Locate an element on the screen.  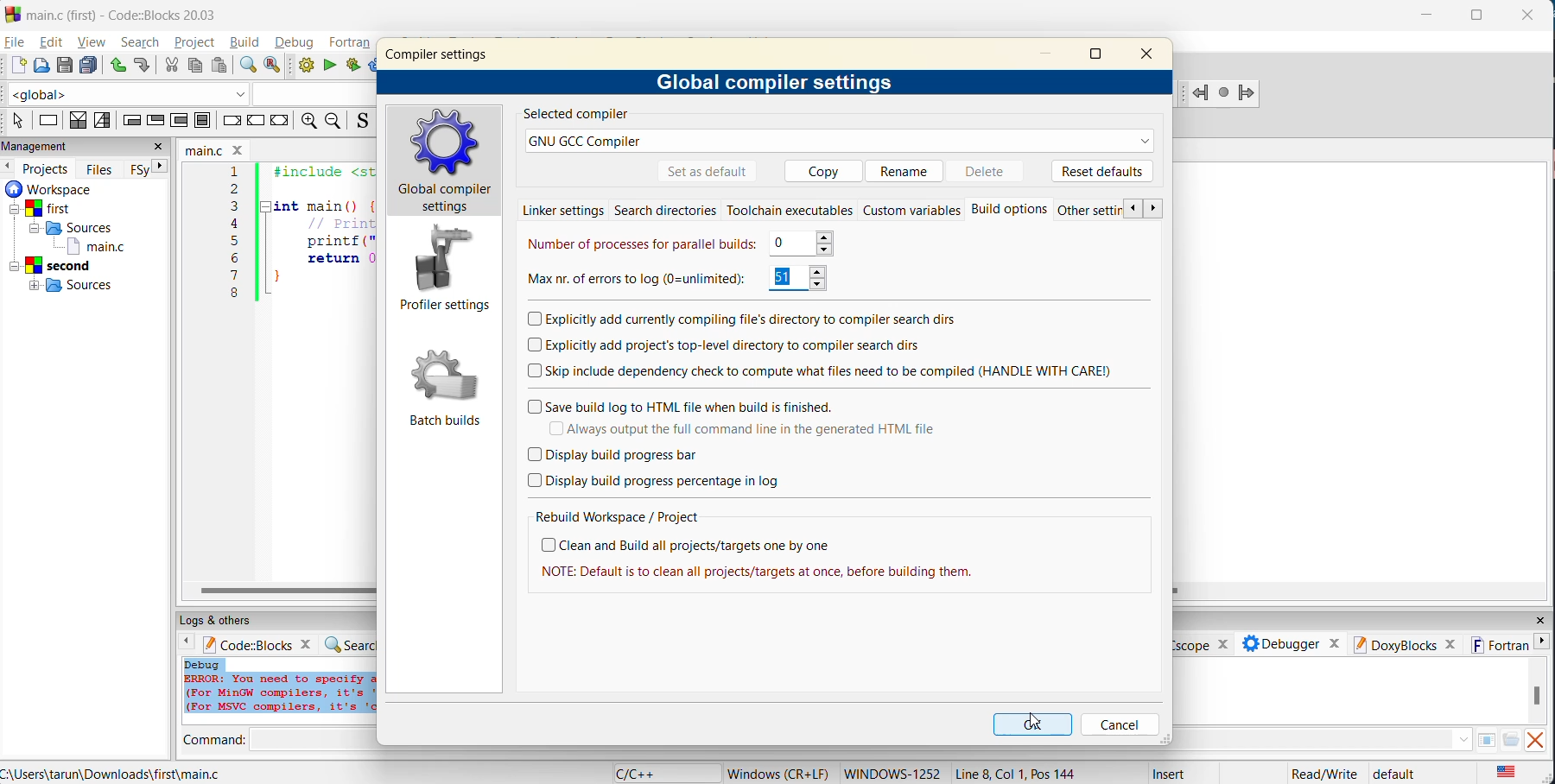
global compiler settings is located at coordinates (448, 164).